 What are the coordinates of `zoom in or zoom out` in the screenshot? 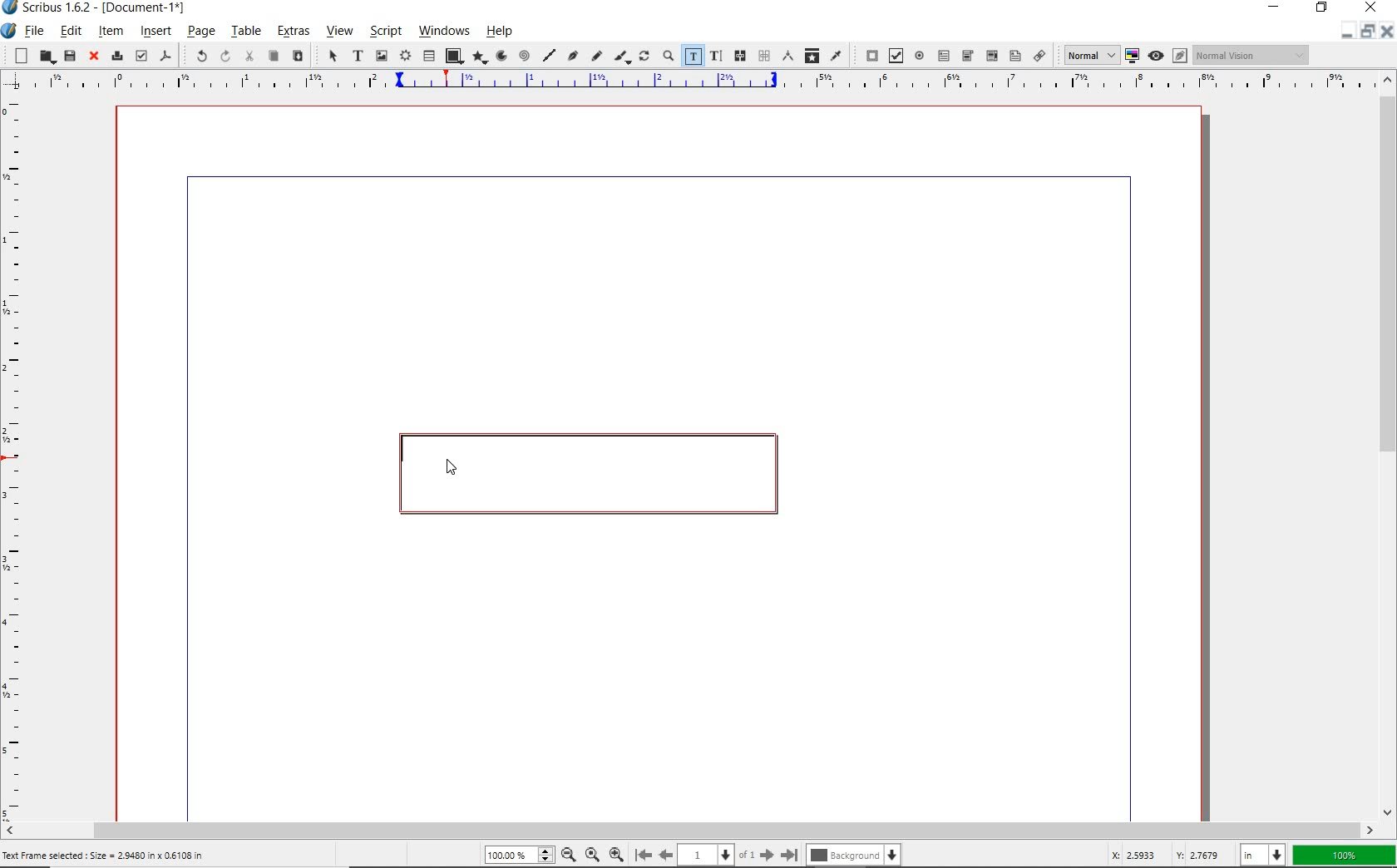 It's located at (668, 57).